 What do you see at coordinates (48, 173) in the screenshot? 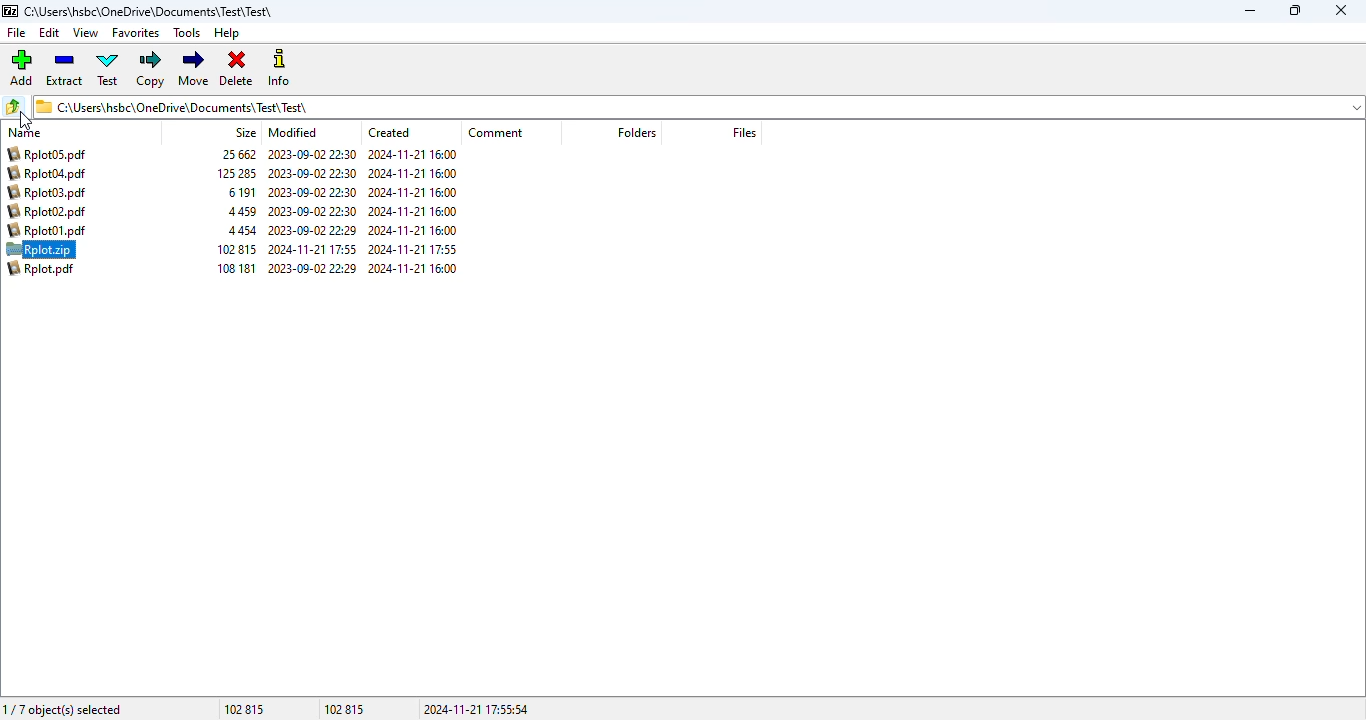
I see `Rplot04.pdf` at bounding box center [48, 173].